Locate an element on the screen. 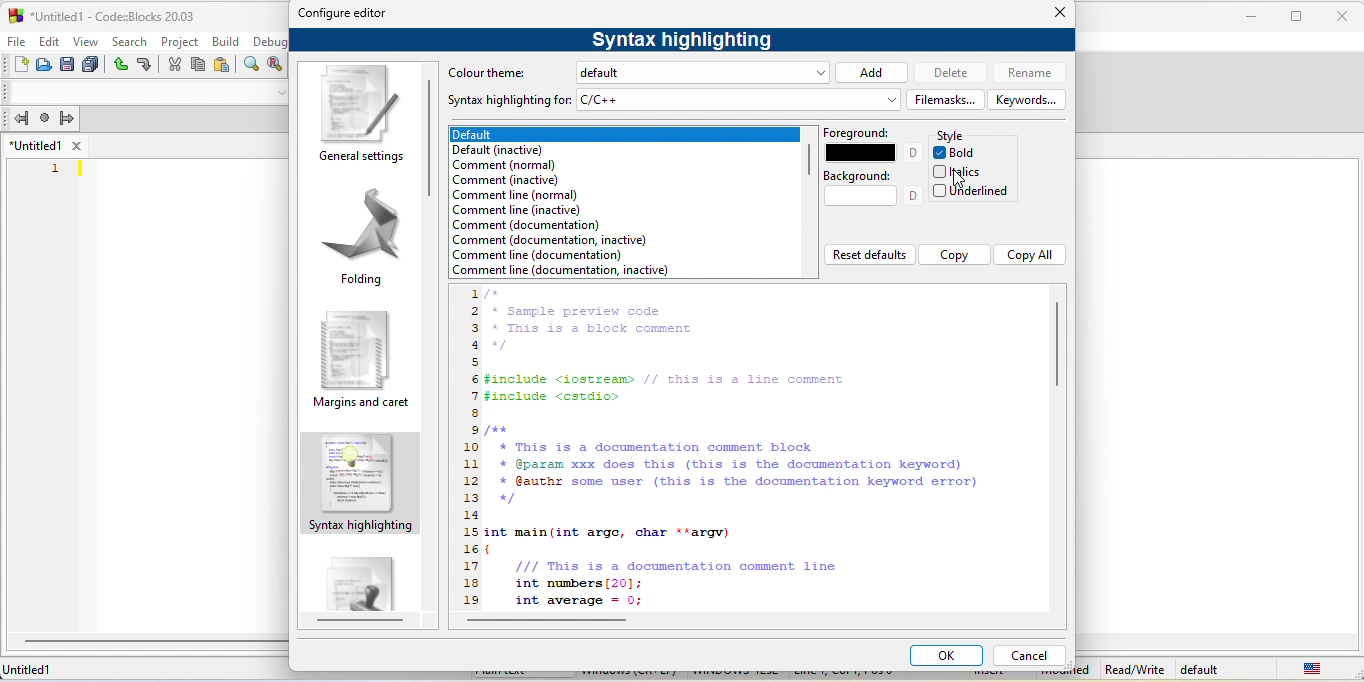 Image resolution: width=1364 pixels, height=682 pixels. comments in code is located at coordinates (589, 321).